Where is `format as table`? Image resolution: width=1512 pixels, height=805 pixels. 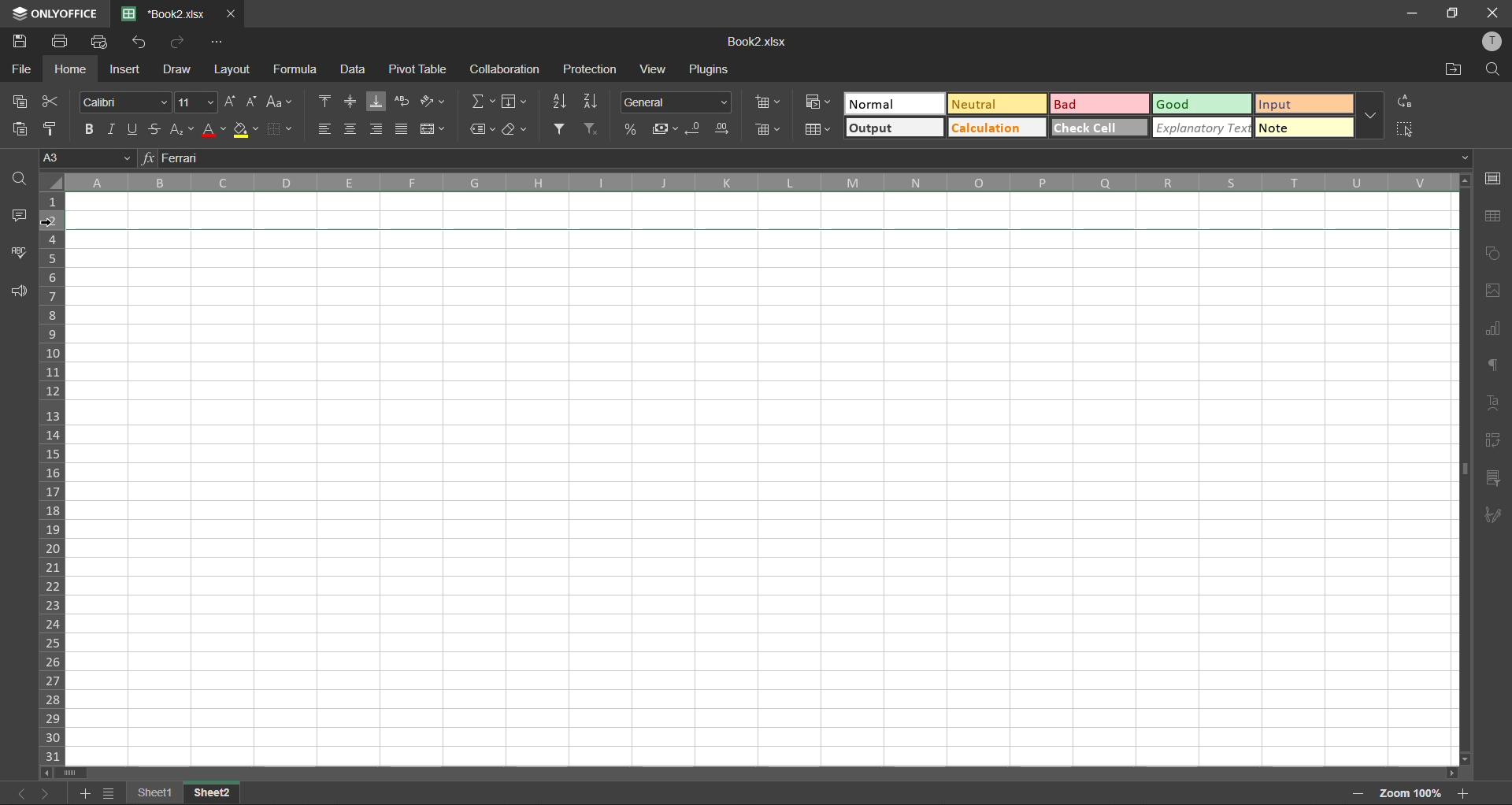
format as table is located at coordinates (821, 131).